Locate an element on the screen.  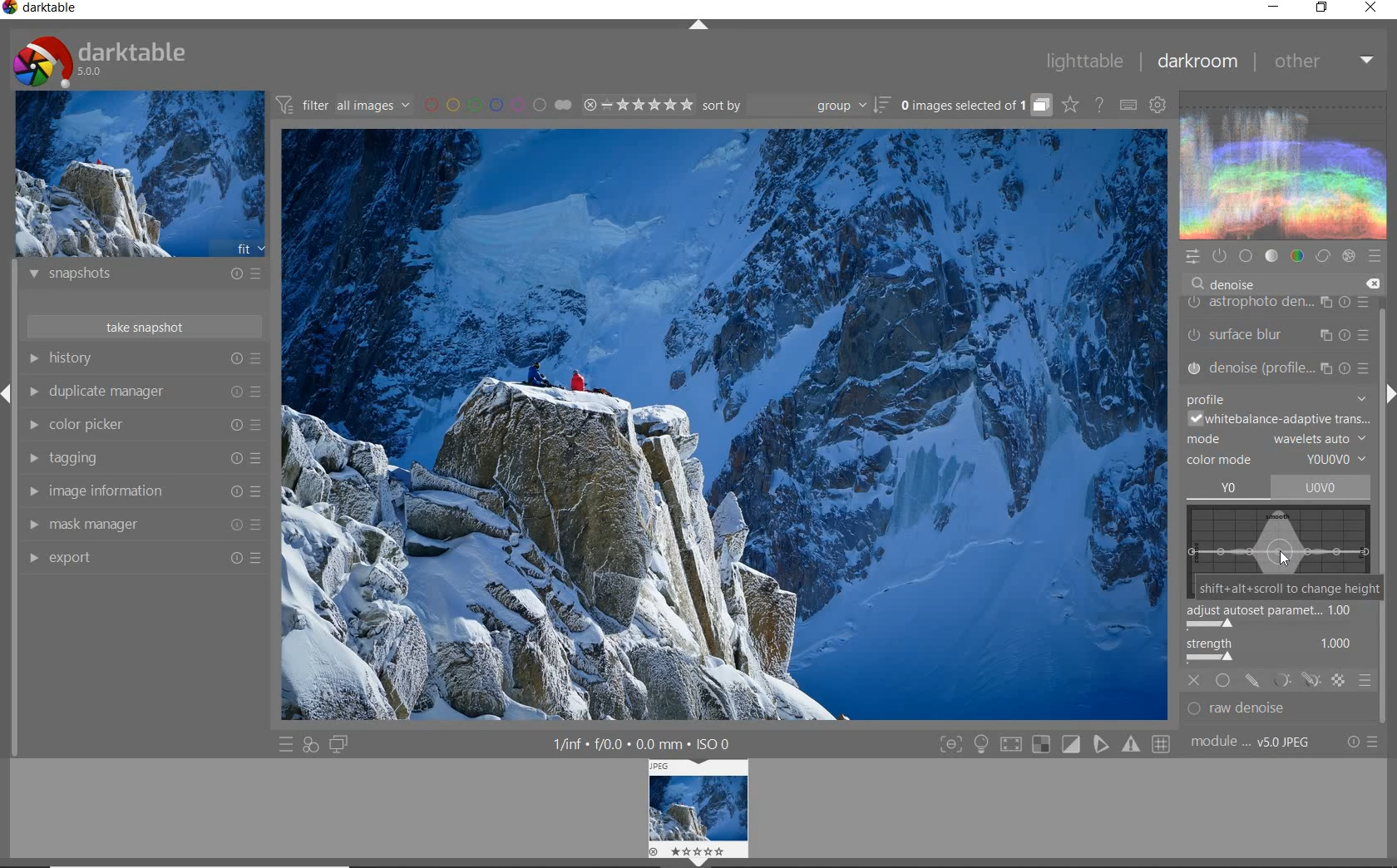
WAVELETS MAP is located at coordinates (1278, 538).